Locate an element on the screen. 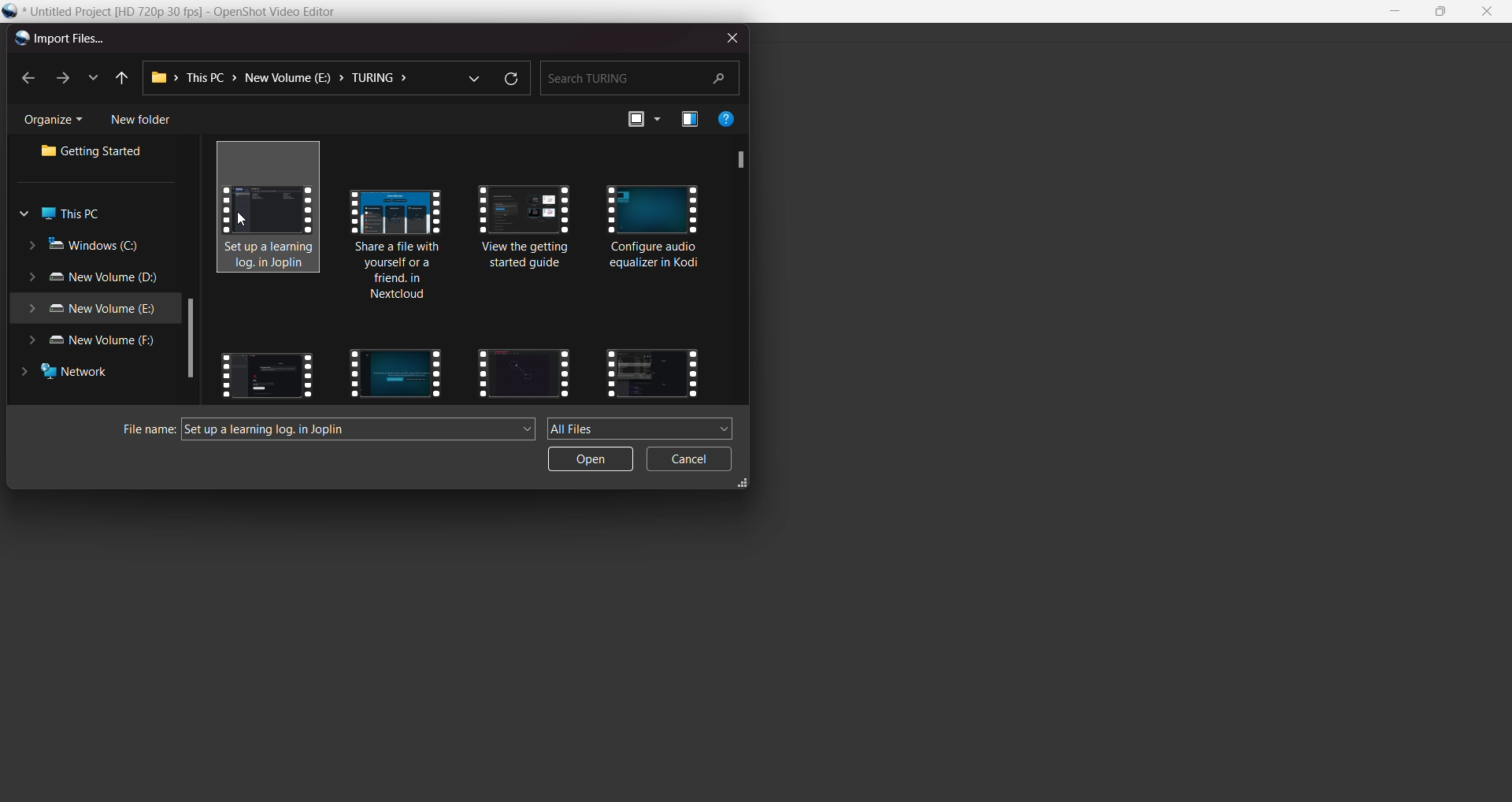 The height and width of the screenshot is (802, 1512). videos is located at coordinates (652, 371).